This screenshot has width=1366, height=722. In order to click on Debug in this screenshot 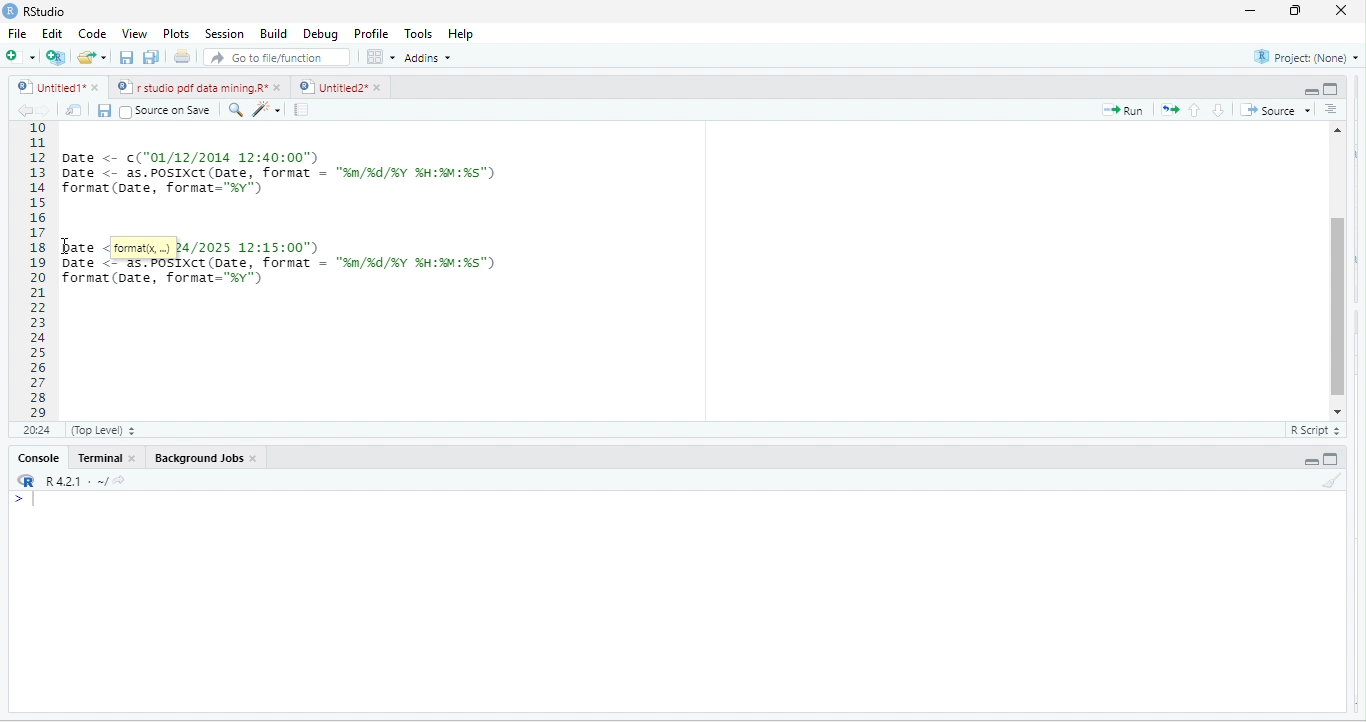, I will do `click(320, 36)`.